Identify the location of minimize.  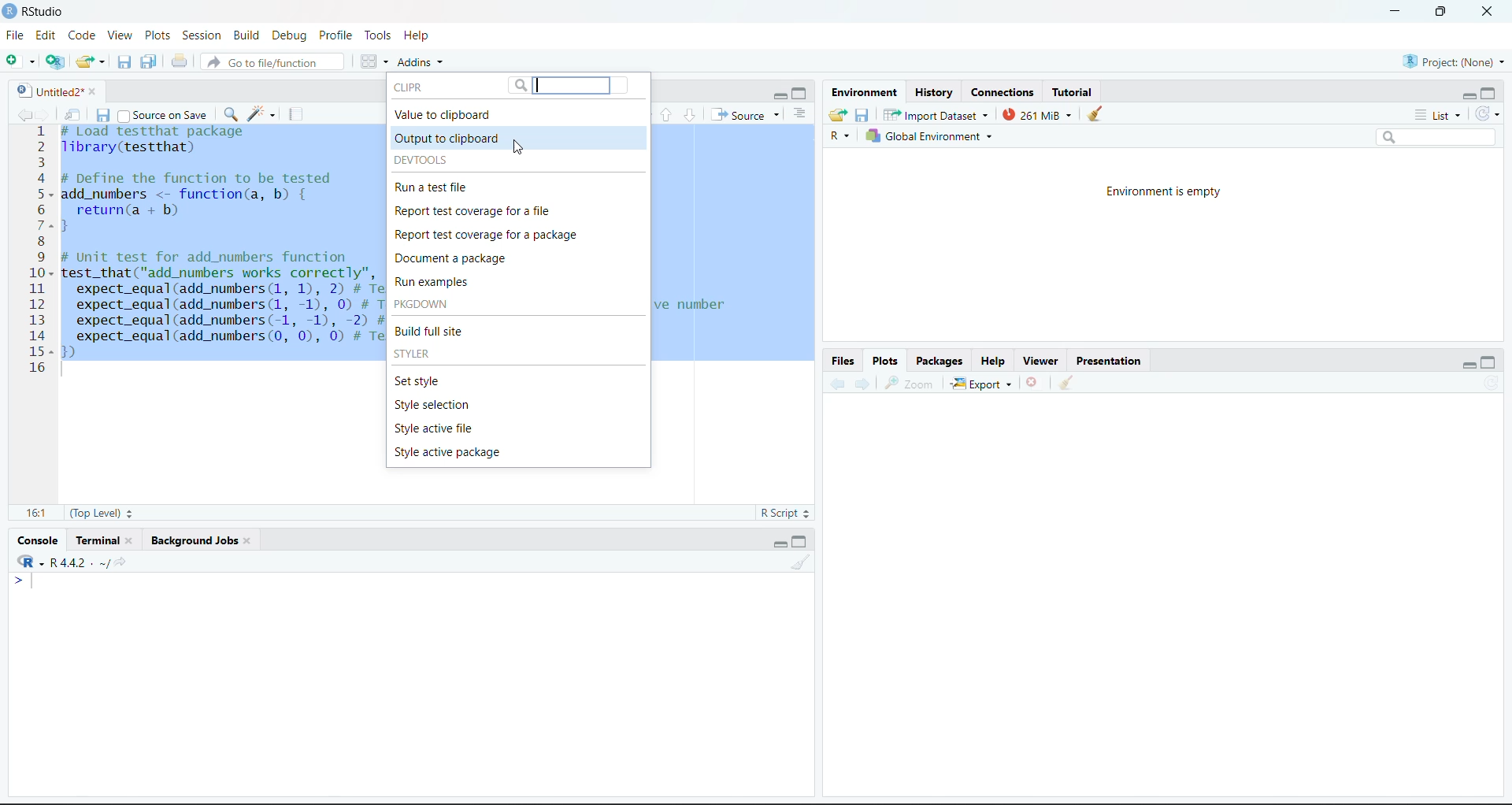
(1395, 11).